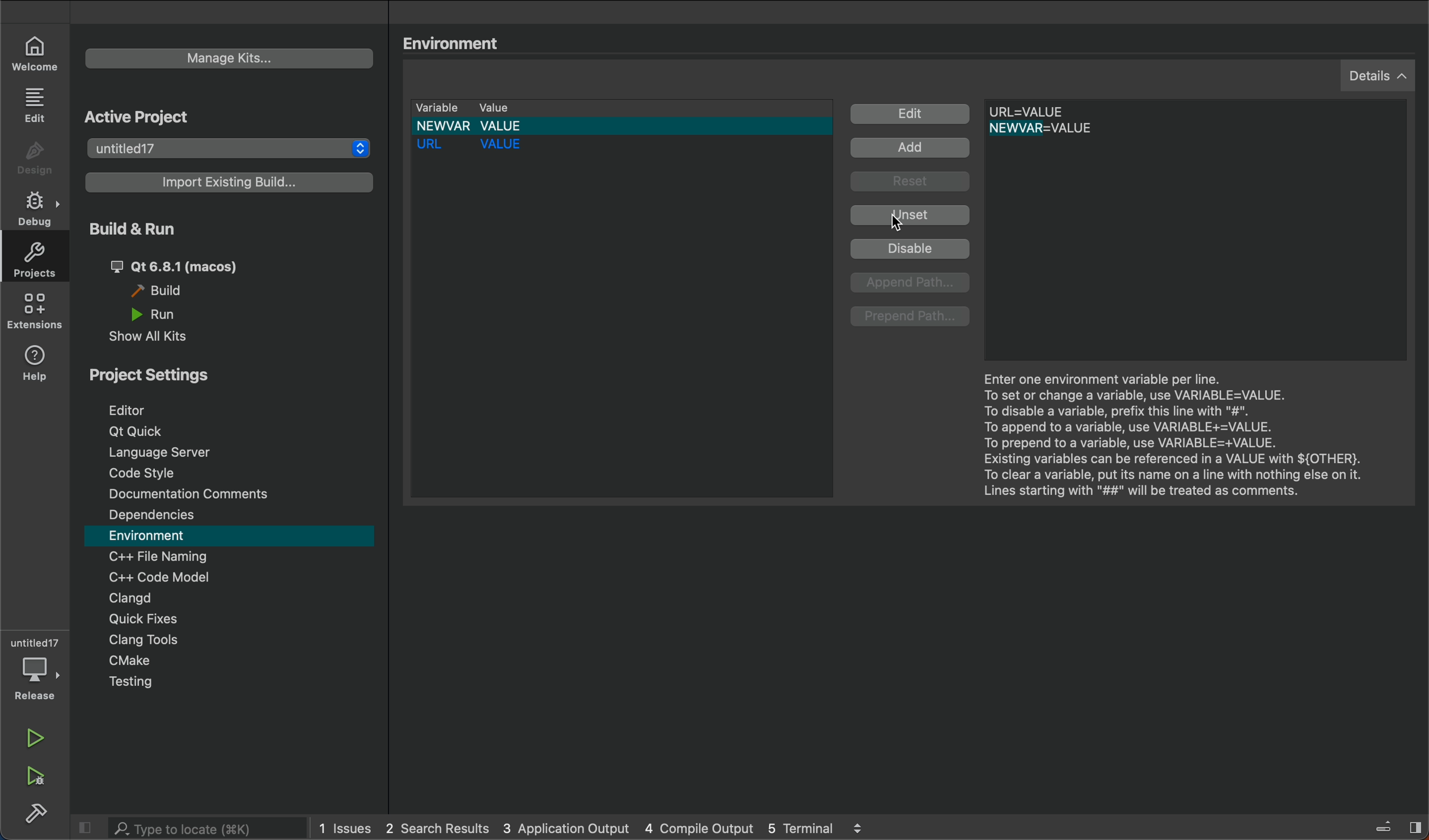 This screenshot has height=840, width=1429. I want to click on clangd, so click(127, 597).